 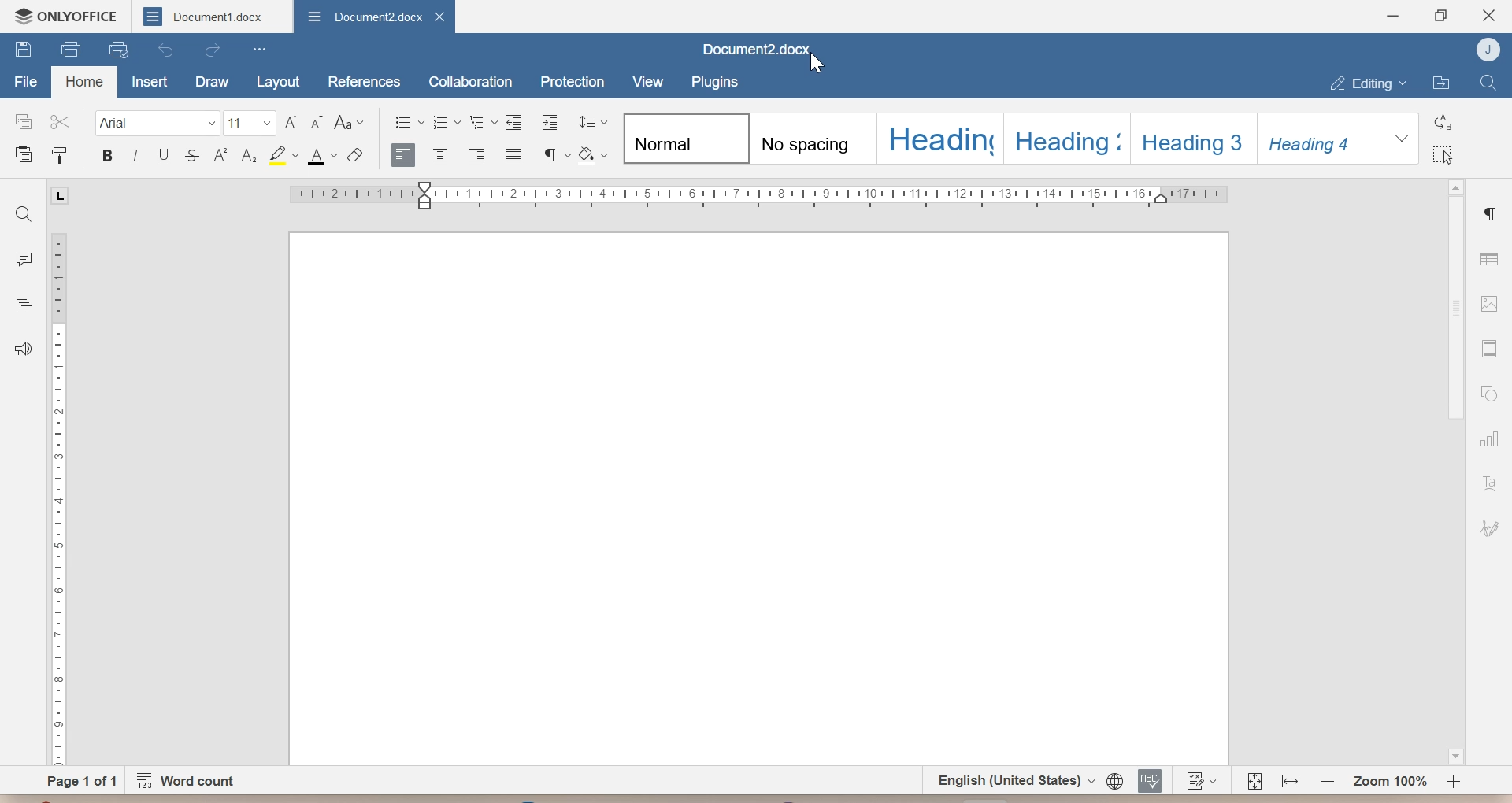 I want to click on Minimize, so click(x=1392, y=16).